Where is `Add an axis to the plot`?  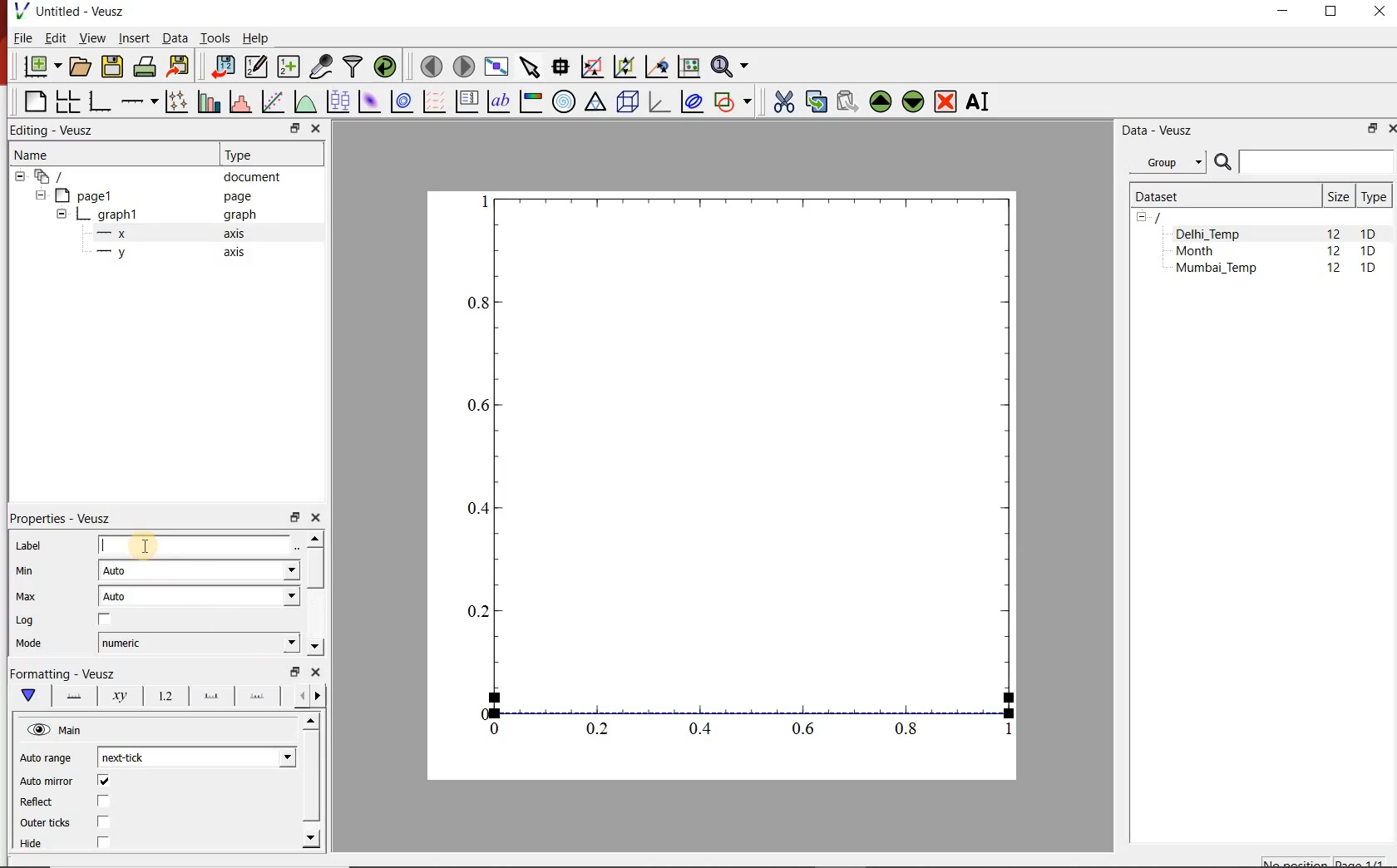
Add an axis to the plot is located at coordinates (137, 101).